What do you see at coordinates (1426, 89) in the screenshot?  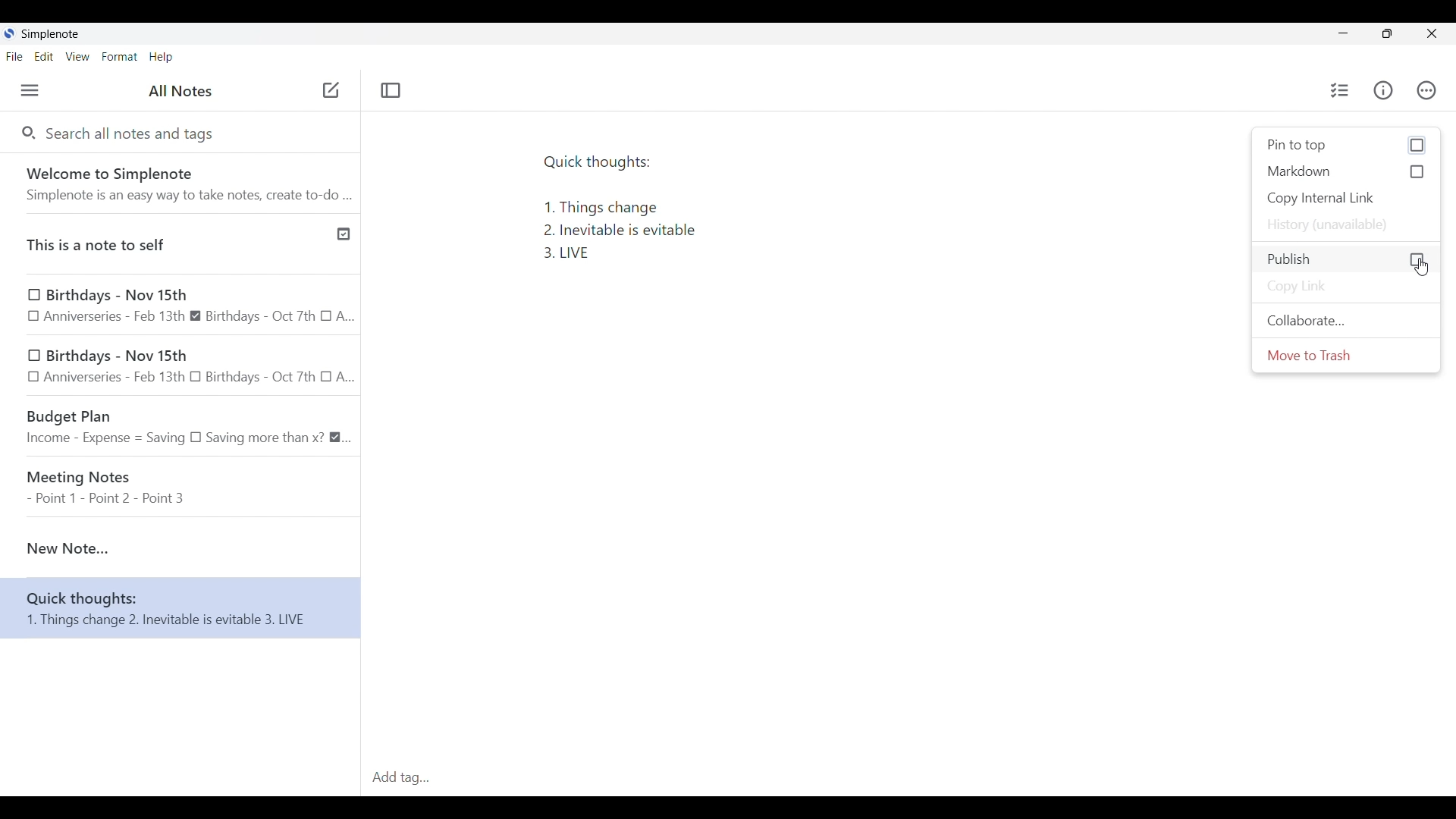 I see `Actions` at bounding box center [1426, 89].